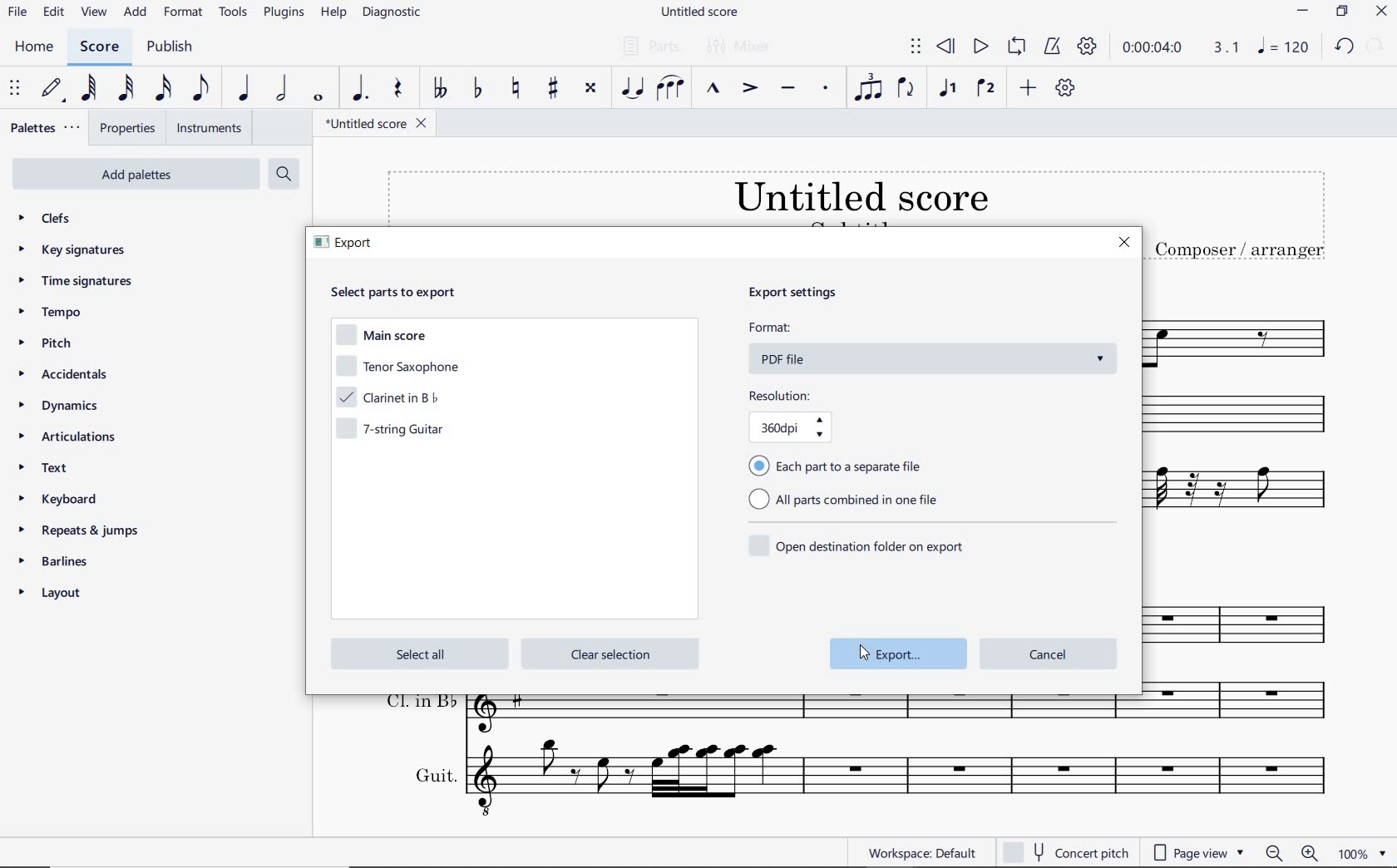  What do you see at coordinates (903, 852) in the screenshot?
I see `WORKSPACE: DEFAULT` at bounding box center [903, 852].